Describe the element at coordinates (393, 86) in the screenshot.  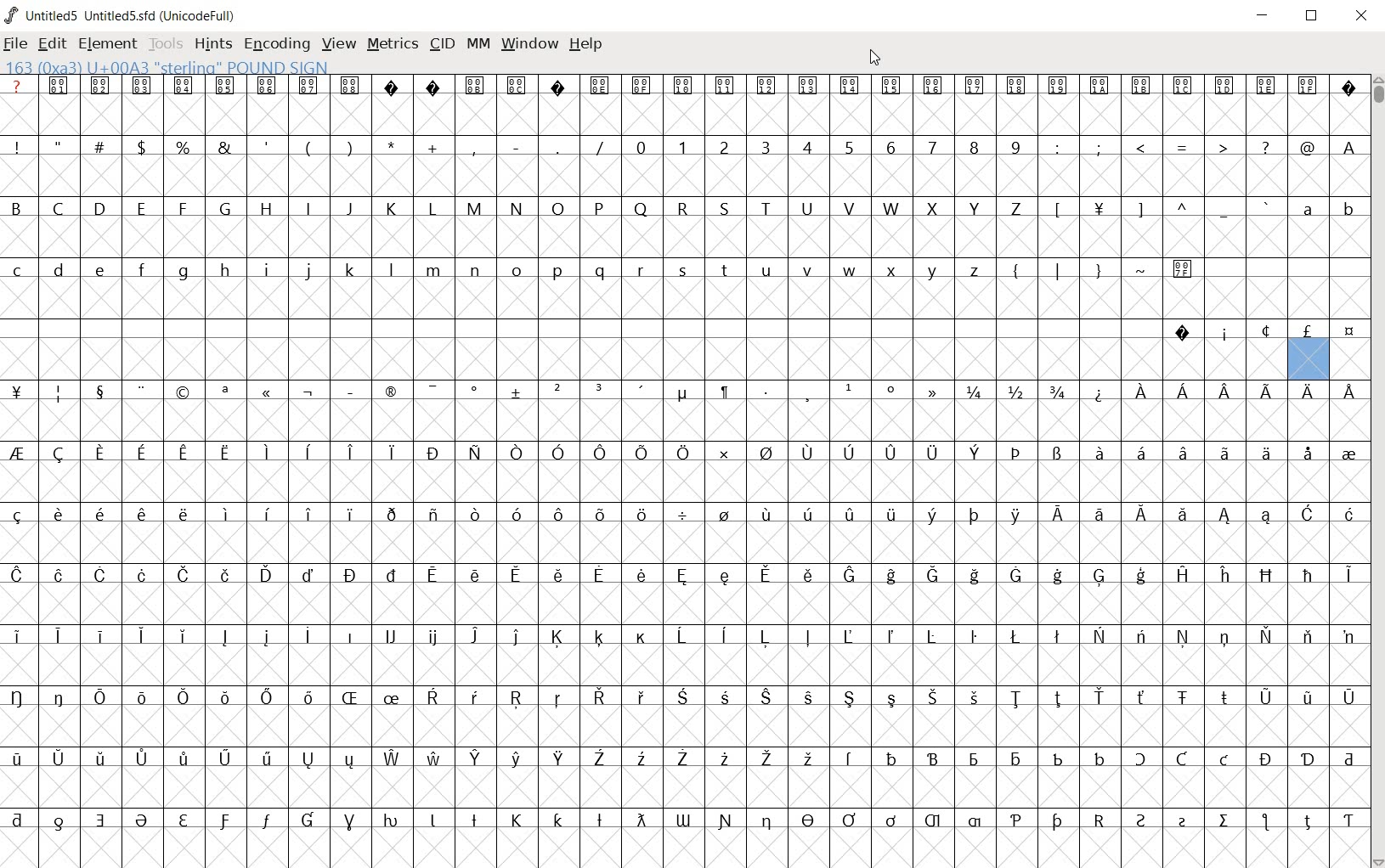
I see `Symbol` at that location.